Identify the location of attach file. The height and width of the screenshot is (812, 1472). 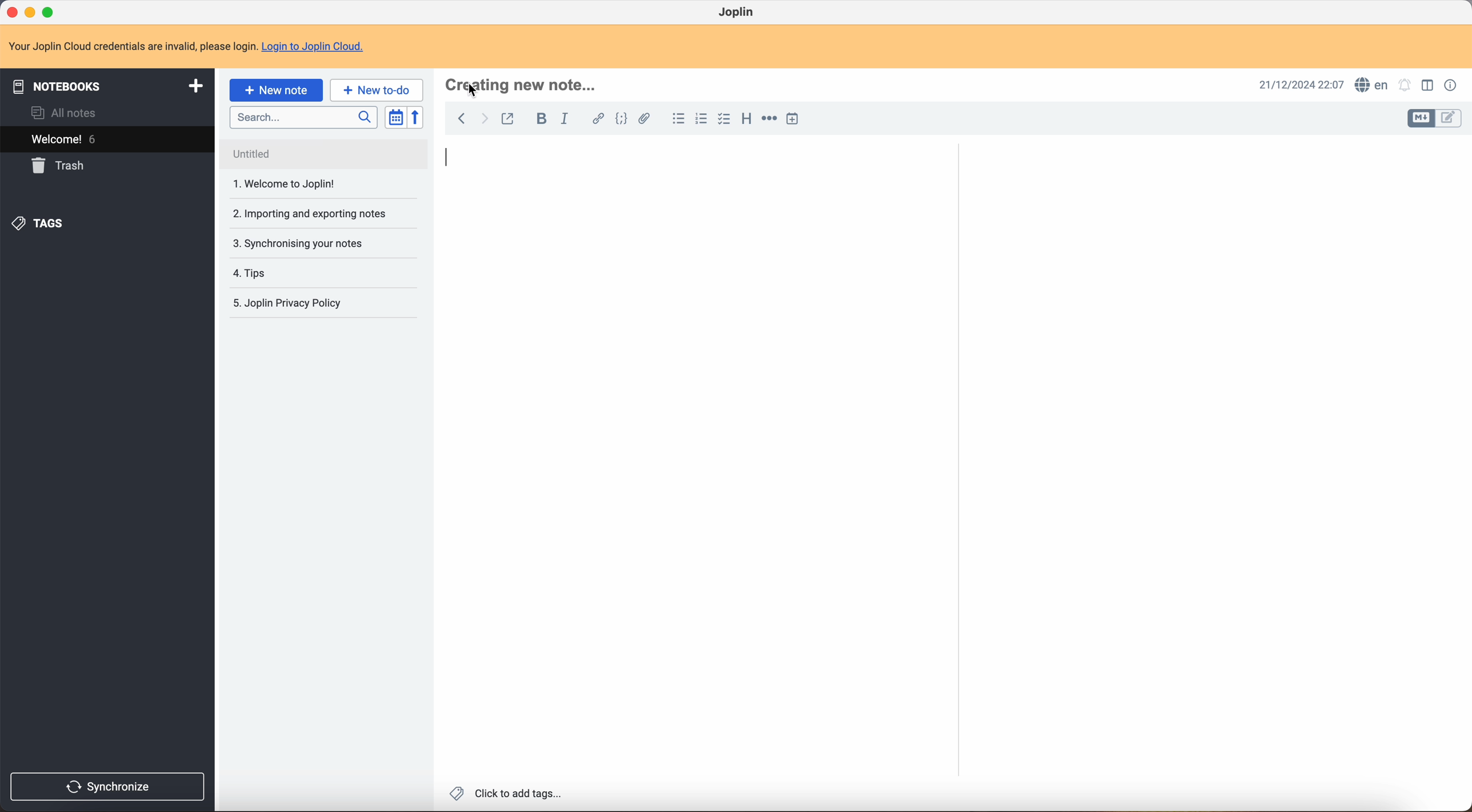
(649, 119).